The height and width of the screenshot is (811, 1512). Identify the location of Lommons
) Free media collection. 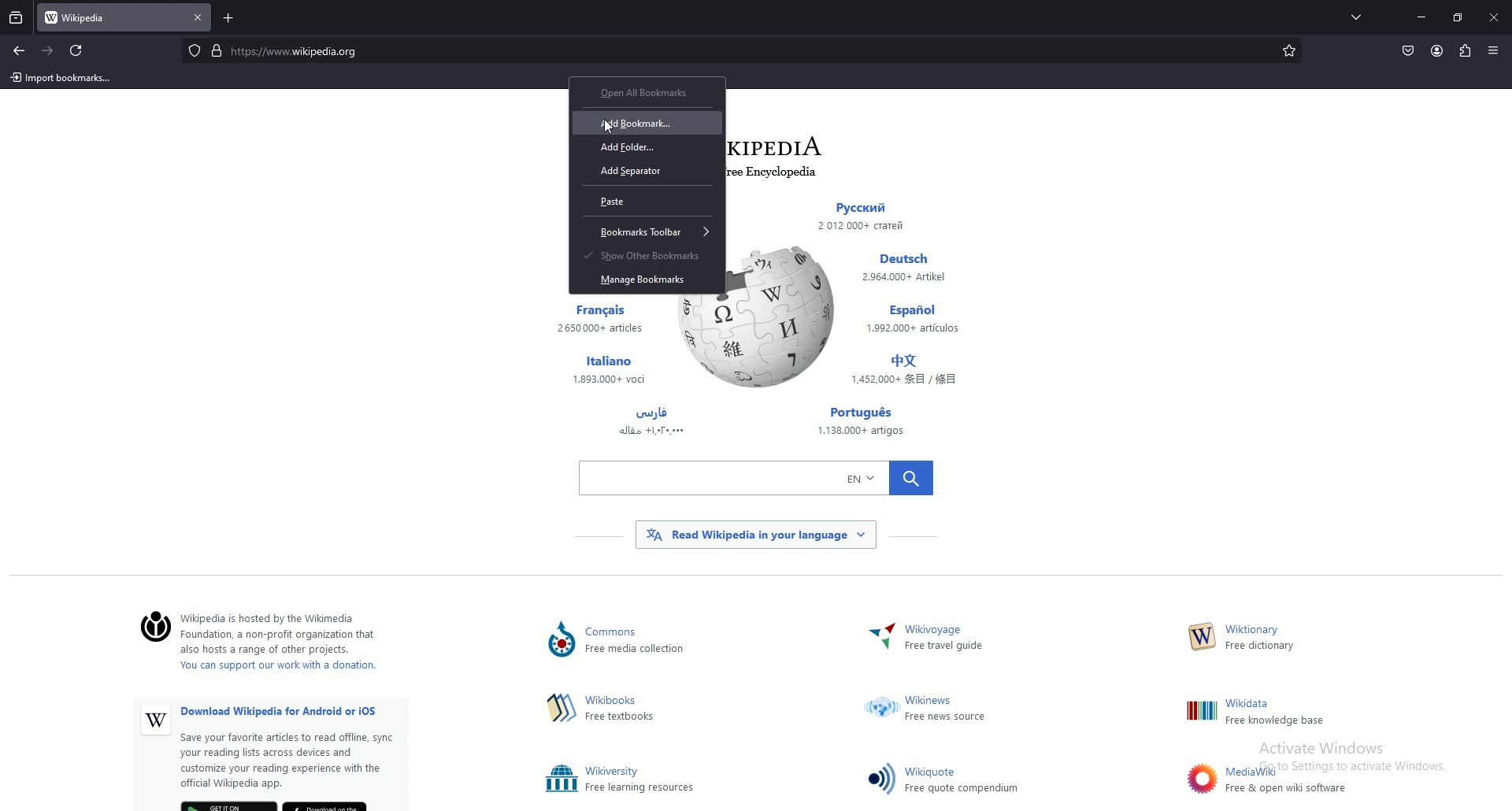
(654, 641).